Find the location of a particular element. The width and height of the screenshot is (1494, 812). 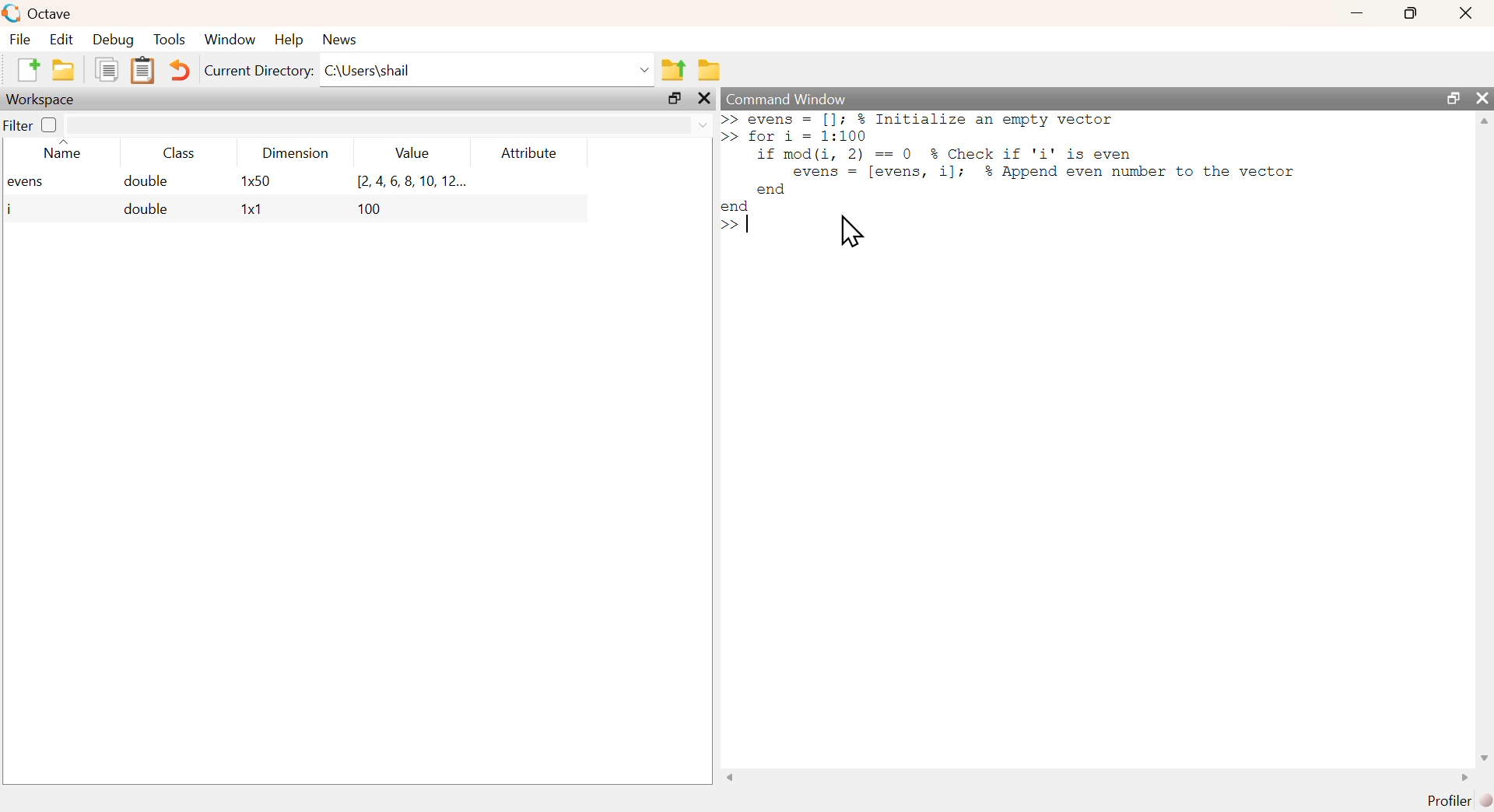

scrollbar is located at coordinates (1485, 442).